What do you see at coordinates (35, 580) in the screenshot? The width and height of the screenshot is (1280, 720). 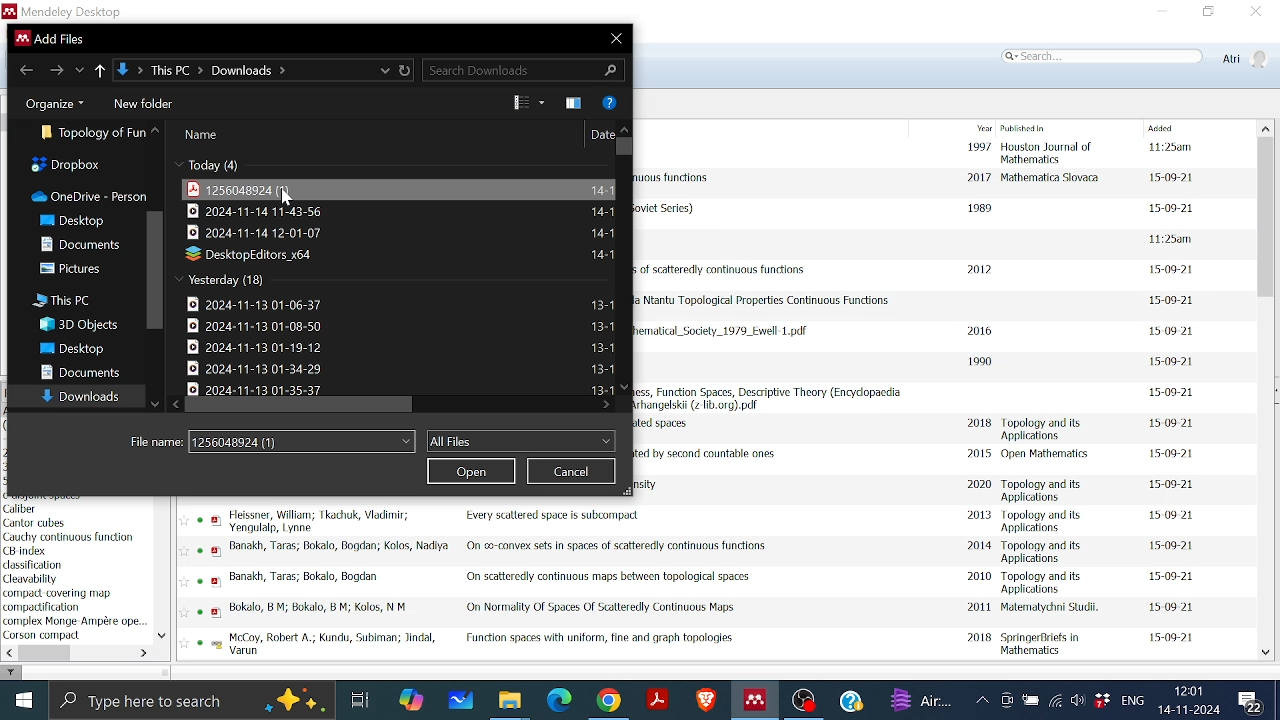 I see `keyword` at bounding box center [35, 580].